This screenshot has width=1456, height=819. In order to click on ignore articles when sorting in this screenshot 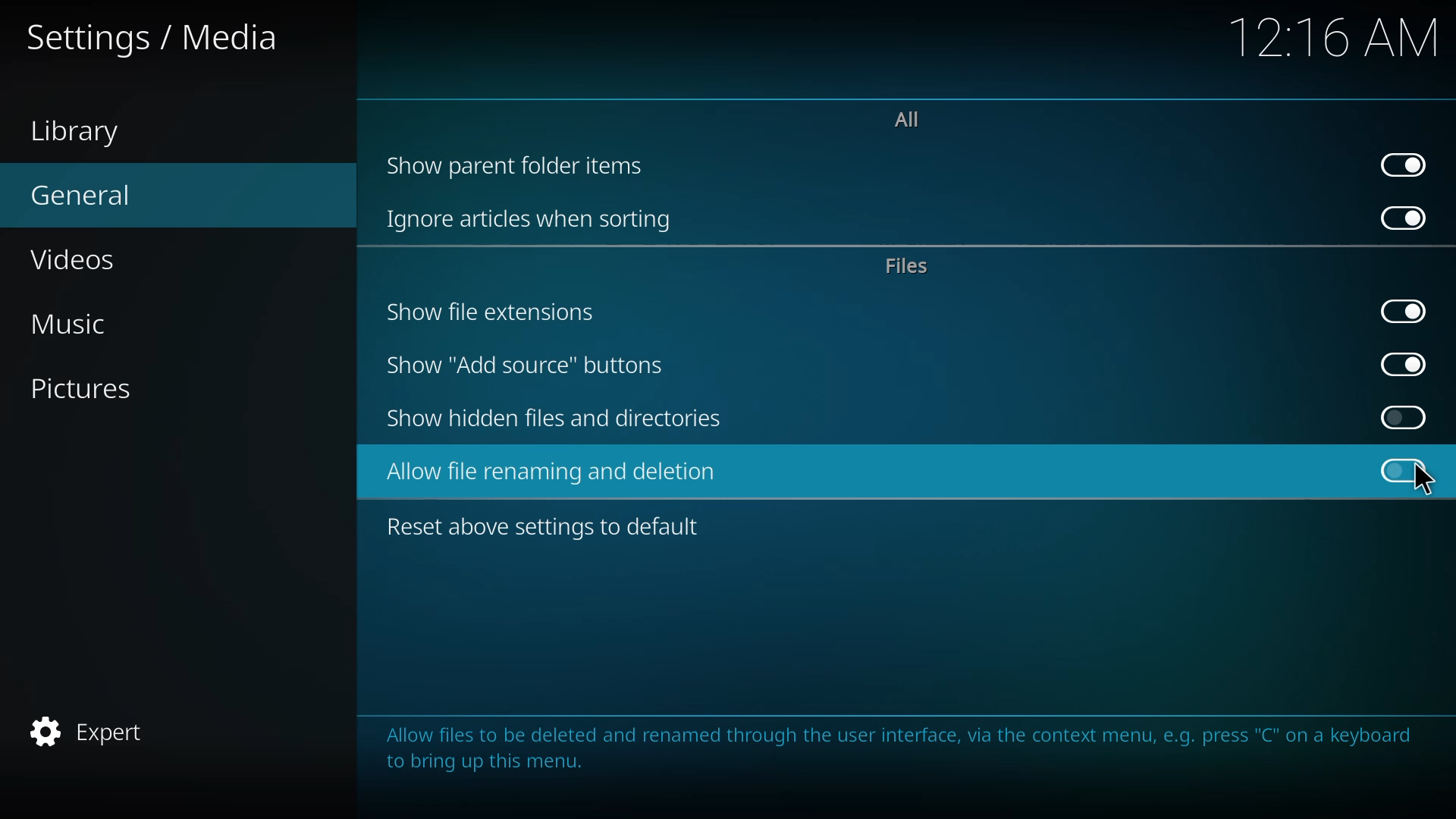, I will do `click(530, 218)`.